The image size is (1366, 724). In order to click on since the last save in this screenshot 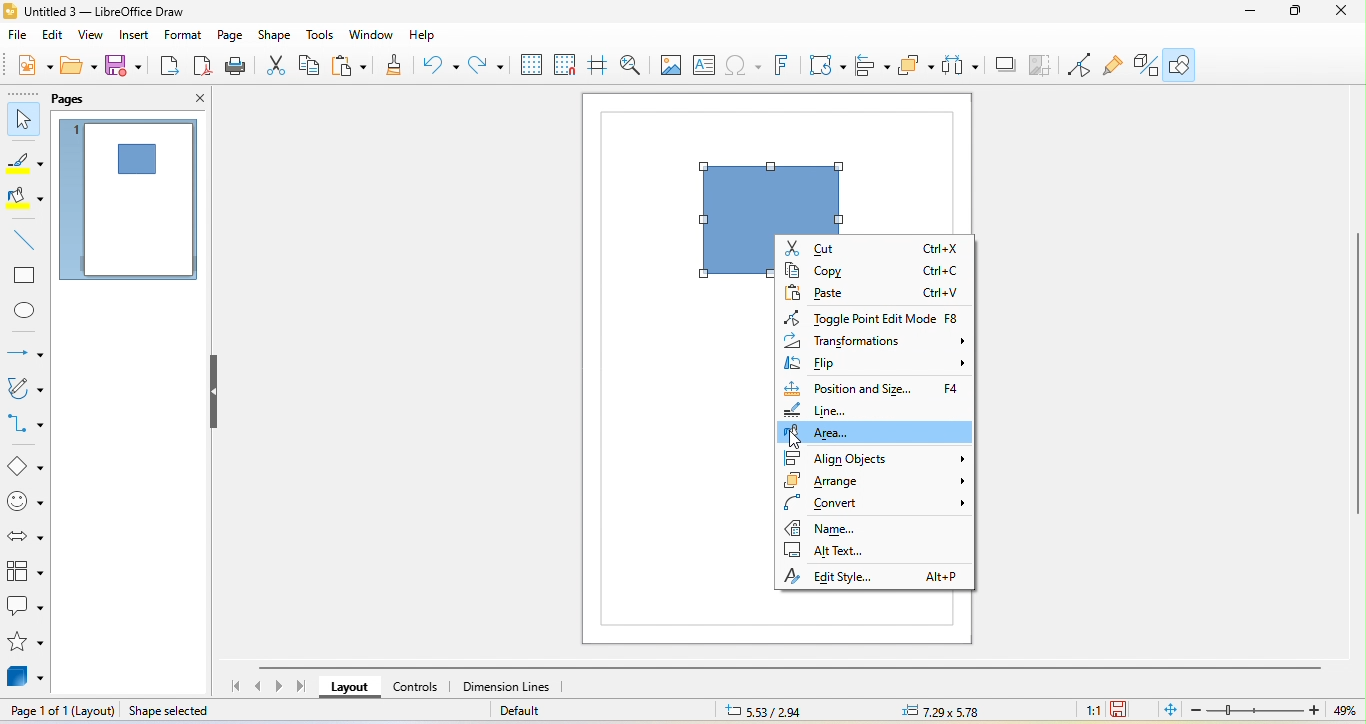, I will do `click(1124, 711)`.